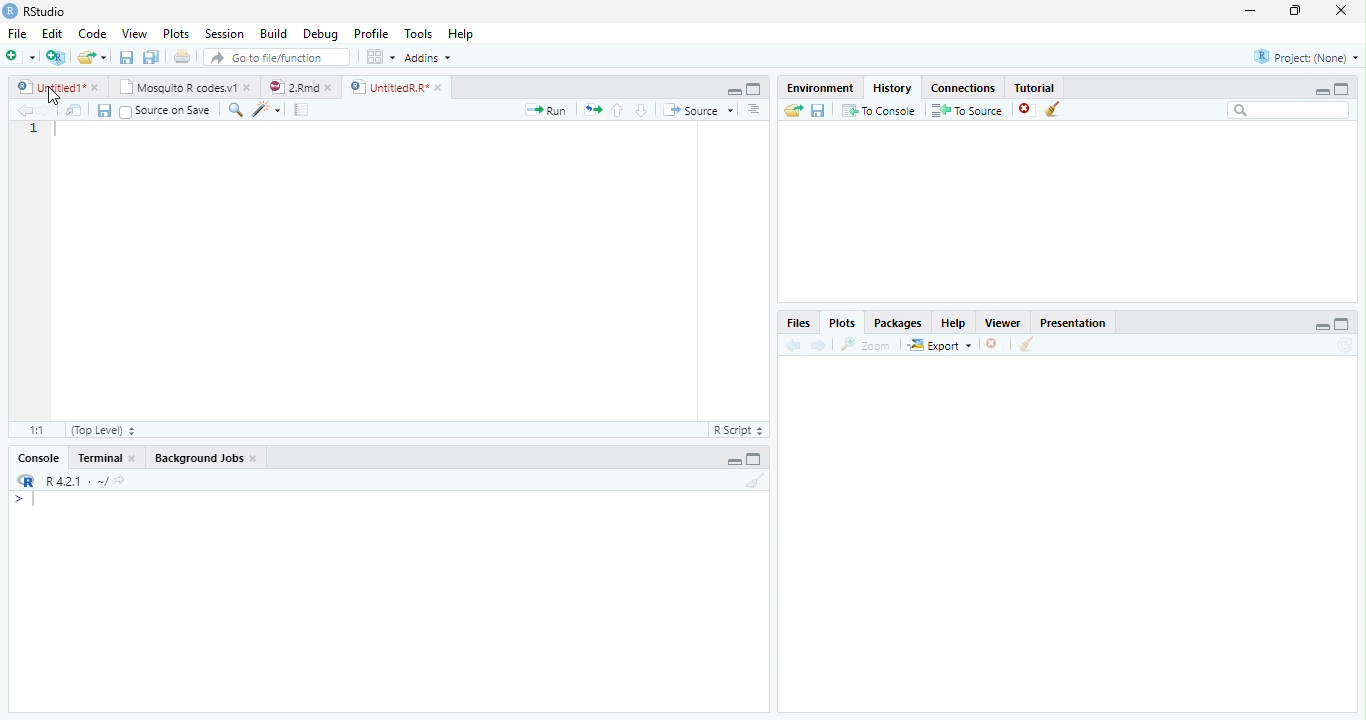 The height and width of the screenshot is (720, 1366). I want to click on R 4.2.1, so click(67, 480).